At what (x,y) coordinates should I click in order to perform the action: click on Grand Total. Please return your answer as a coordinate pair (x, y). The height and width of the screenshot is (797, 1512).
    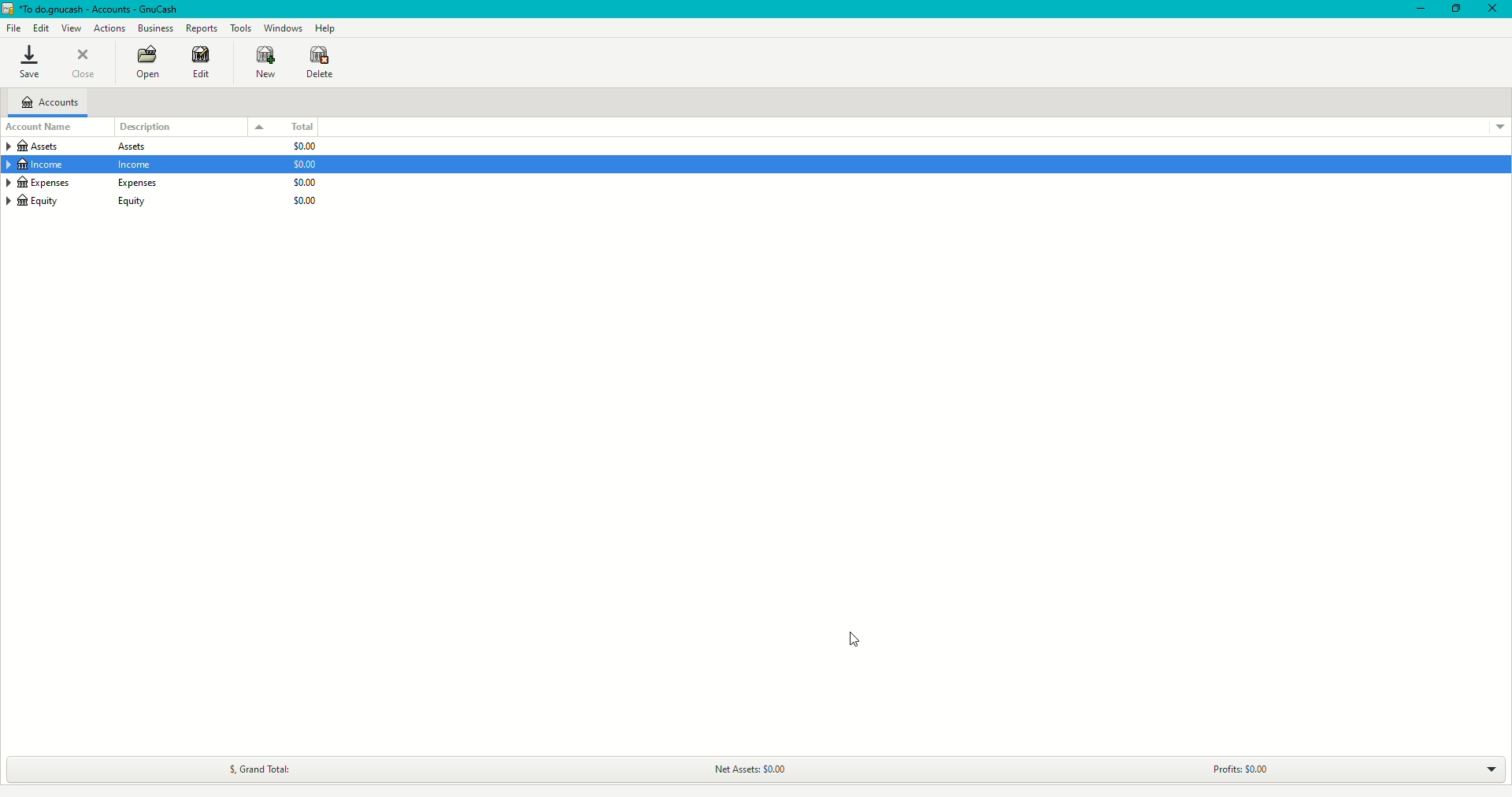
    Looking at the image, I should click on (258, 770).